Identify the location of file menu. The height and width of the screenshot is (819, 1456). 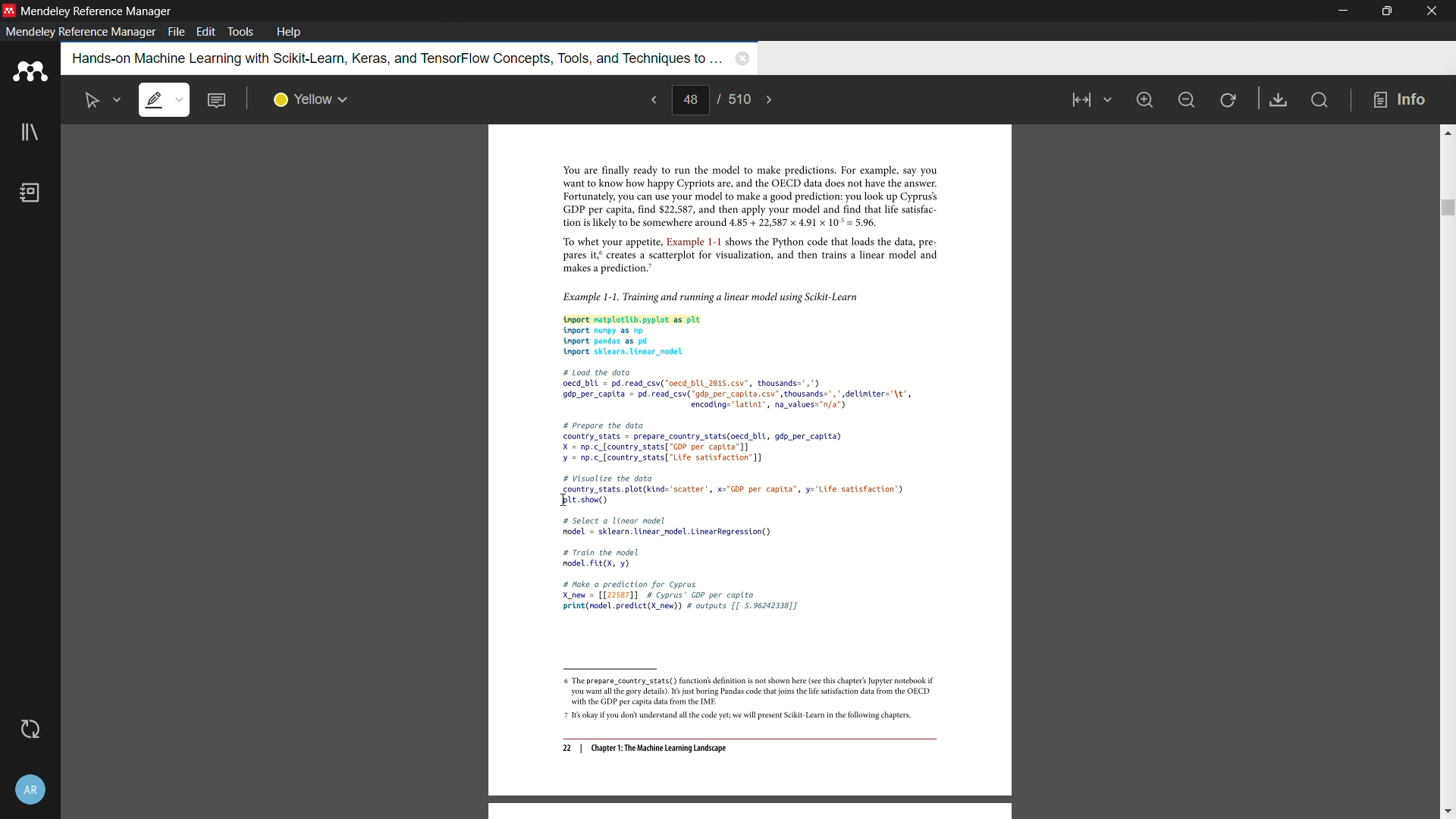
(176, 32).